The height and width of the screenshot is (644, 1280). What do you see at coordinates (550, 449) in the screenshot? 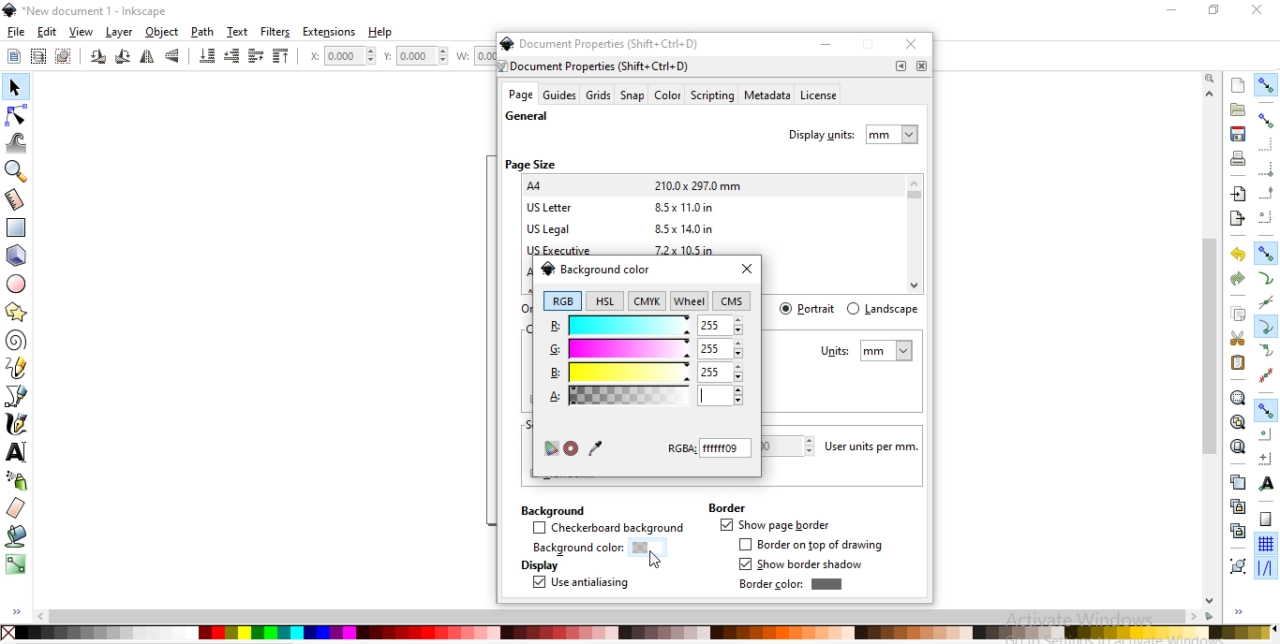
I see `color managed` at bounding box center [550, 449].